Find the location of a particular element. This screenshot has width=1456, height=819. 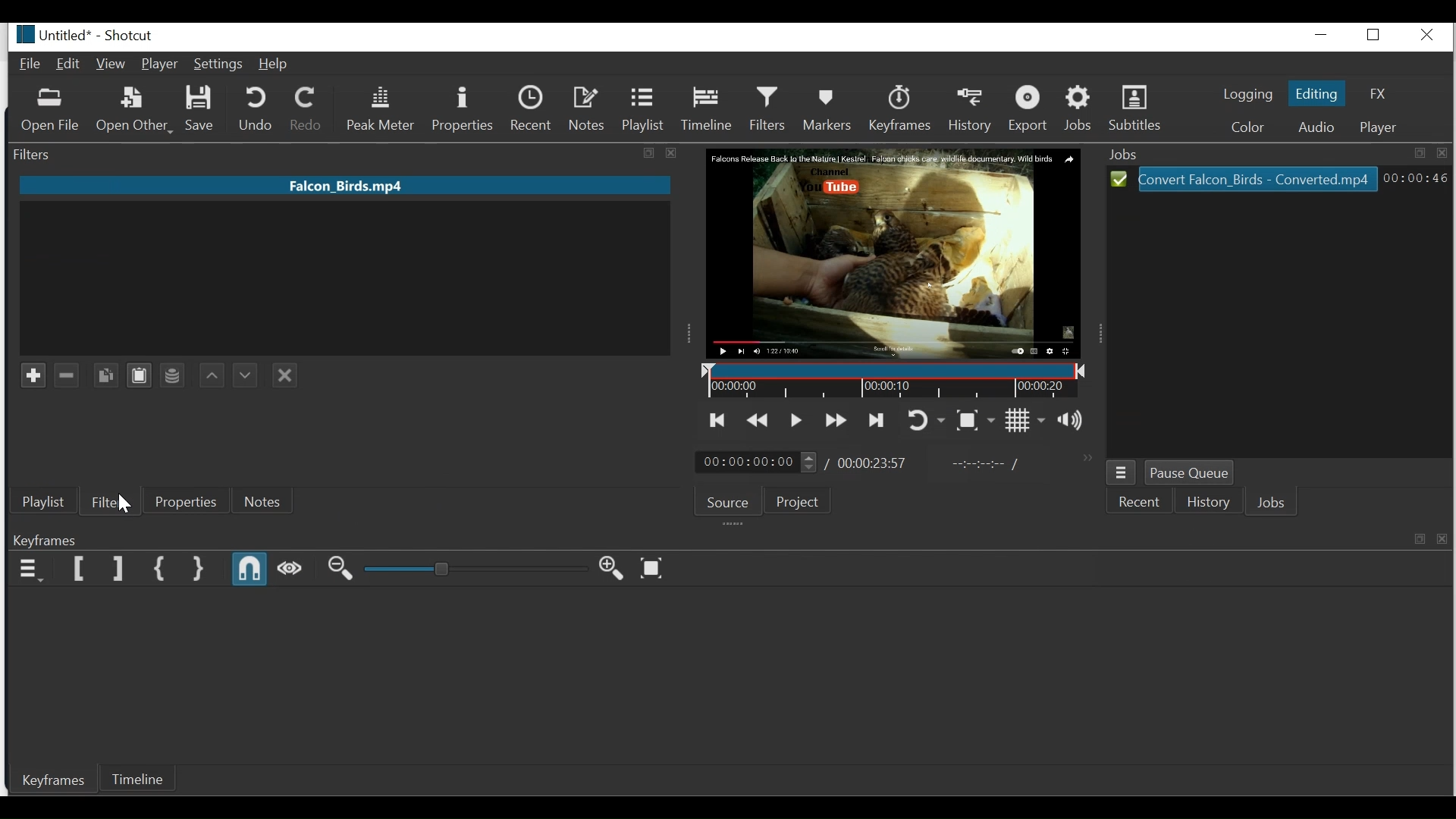

Pointer is located at coordinates (127, 500).